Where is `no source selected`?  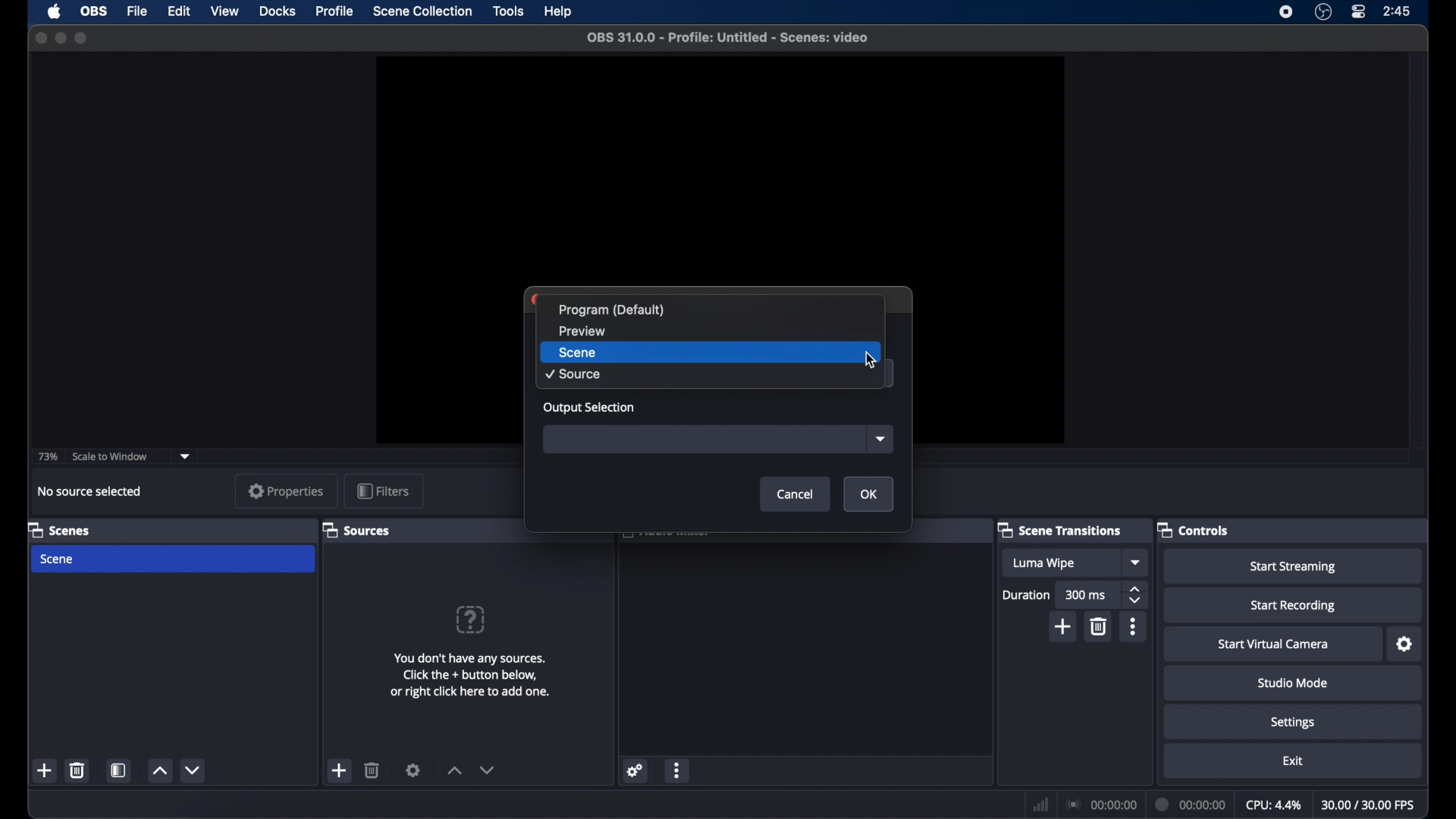 no source selected is located at coordinates (90, 491).